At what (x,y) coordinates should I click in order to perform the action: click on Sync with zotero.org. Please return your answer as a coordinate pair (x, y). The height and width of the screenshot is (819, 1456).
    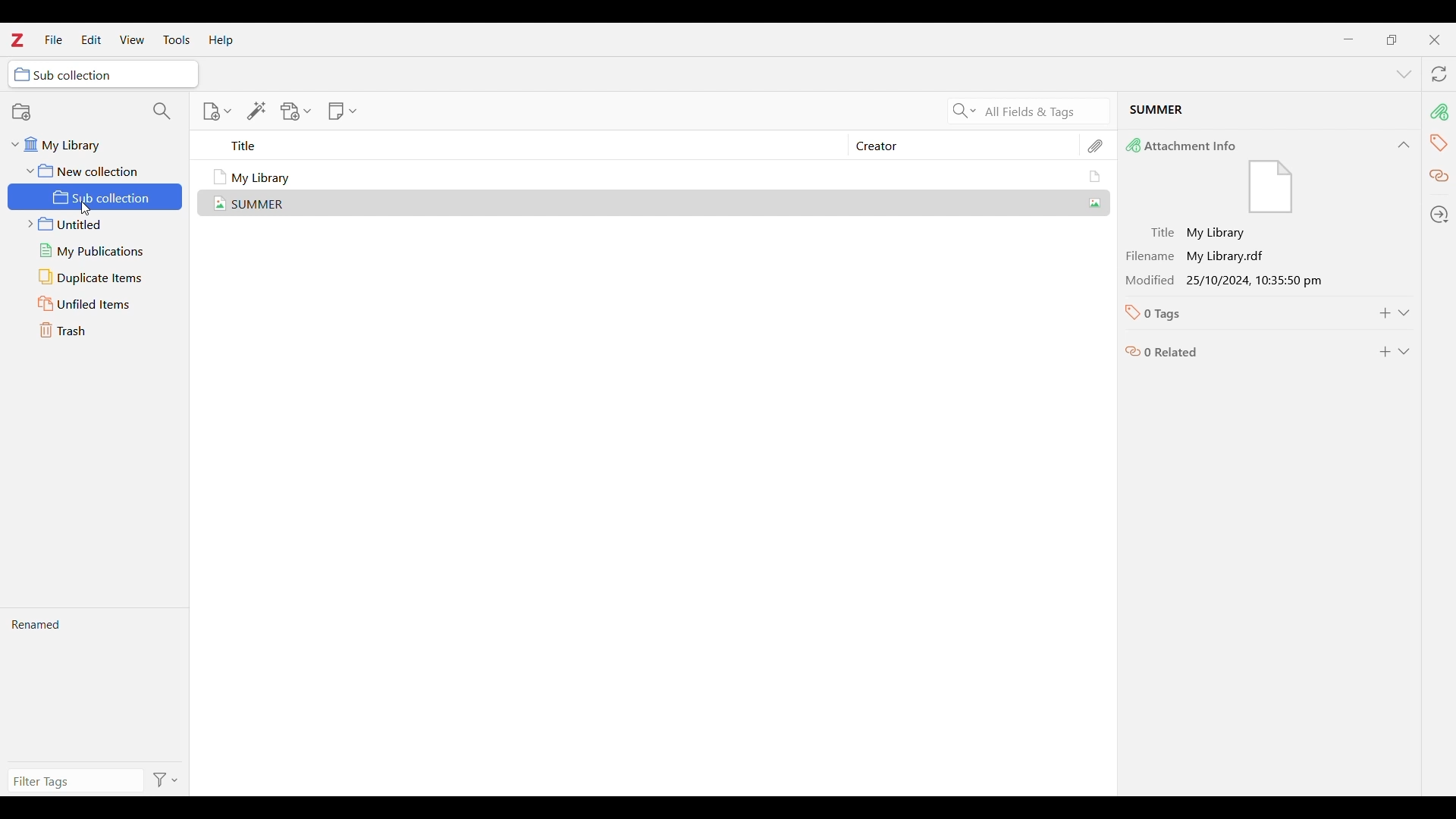
    Looking at the image, I should click on (1440, 74).